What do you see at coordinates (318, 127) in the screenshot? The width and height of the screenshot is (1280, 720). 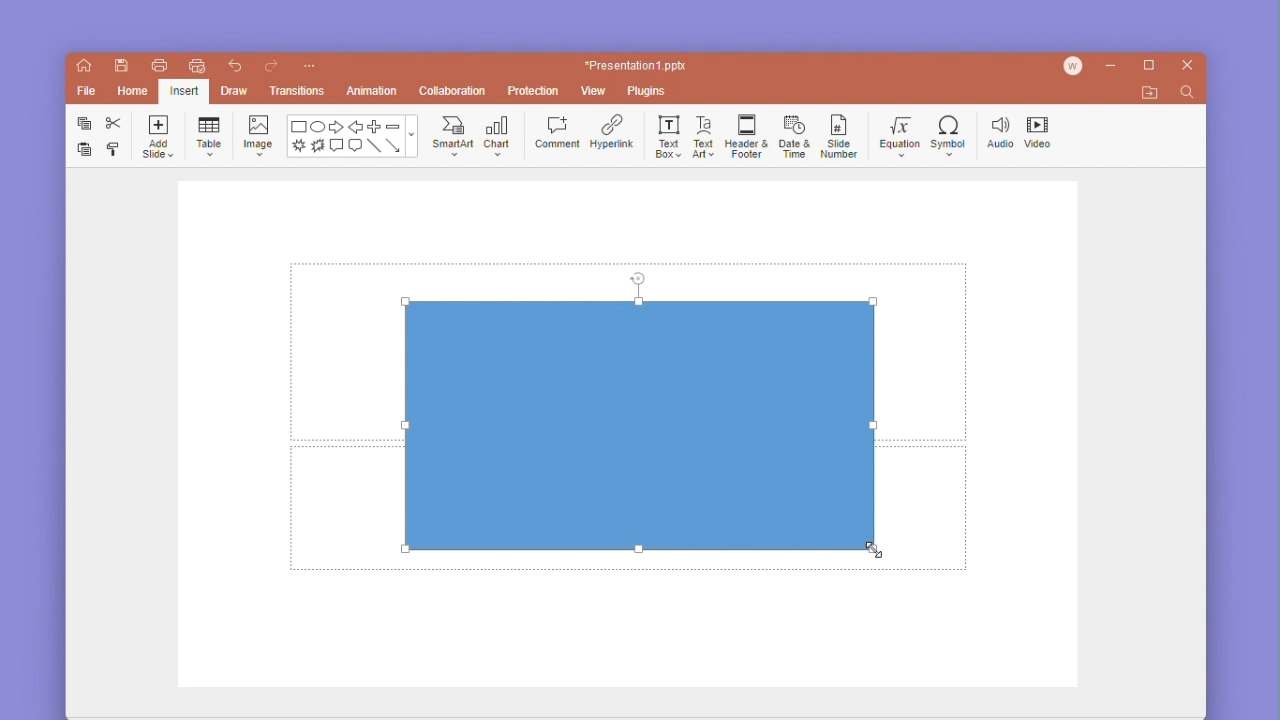 I see `ellipse` at bounding box center [318, 127].